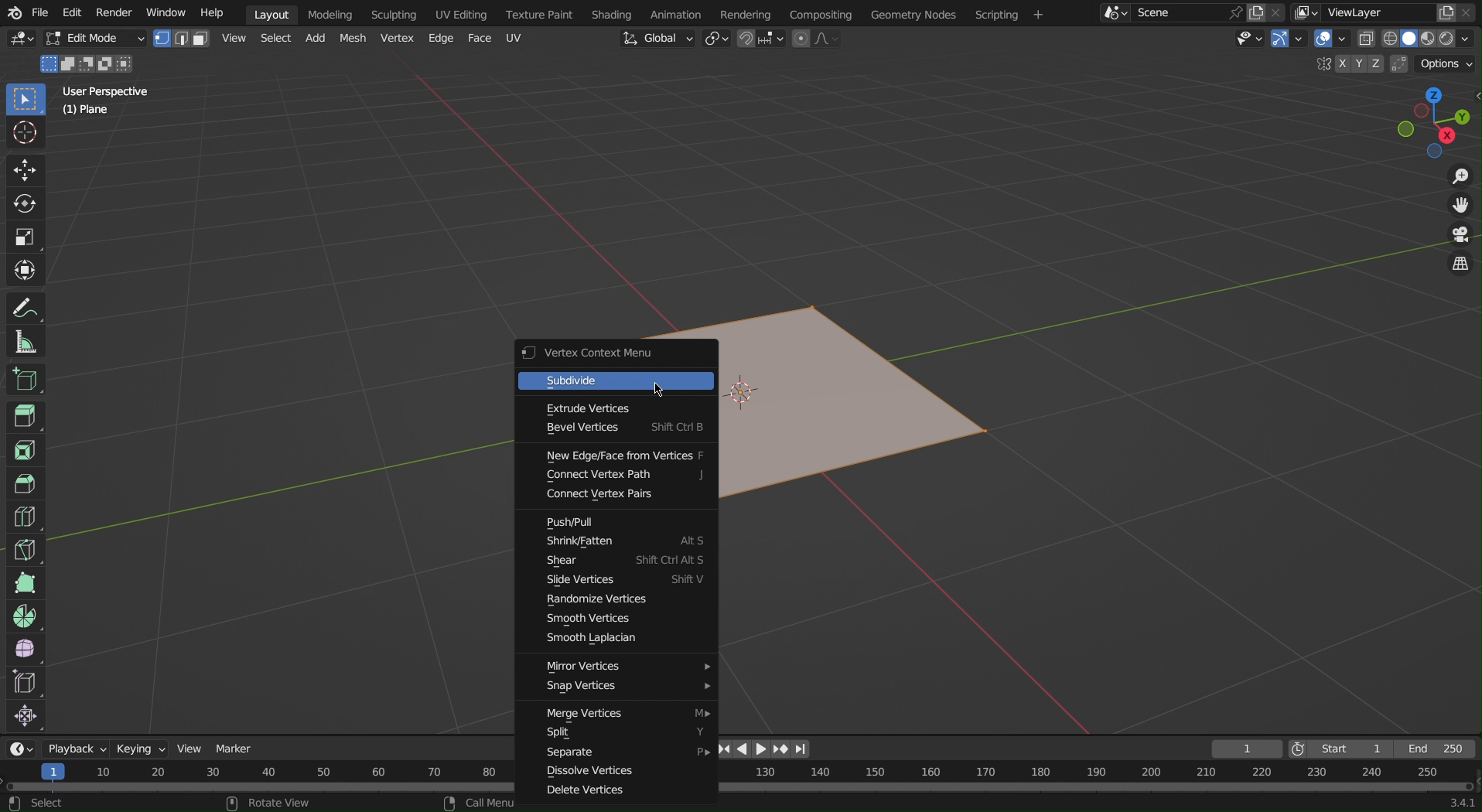 The image size is (1482, 812). What do you see at coordinates (26, 136) in the screenshot?
I see `Cursor` at bounding box center [26, 136].